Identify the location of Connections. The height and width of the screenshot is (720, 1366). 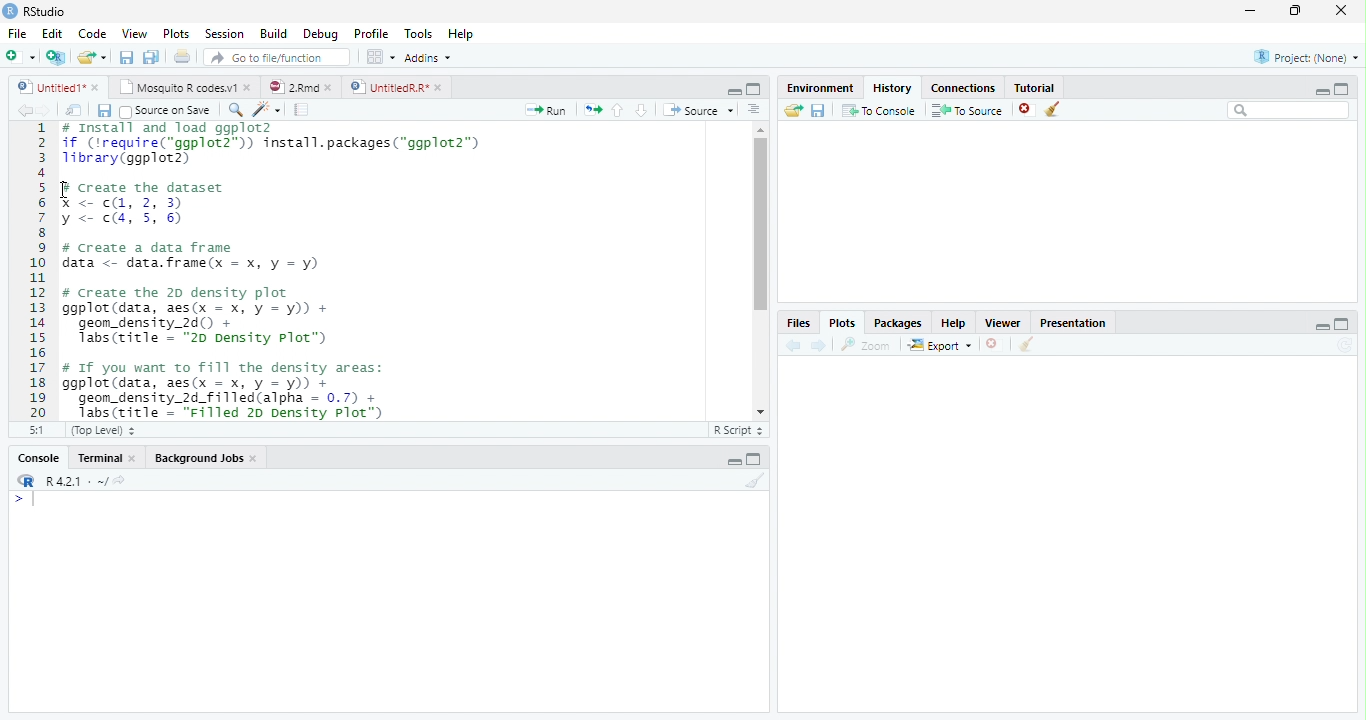
(964, 89).